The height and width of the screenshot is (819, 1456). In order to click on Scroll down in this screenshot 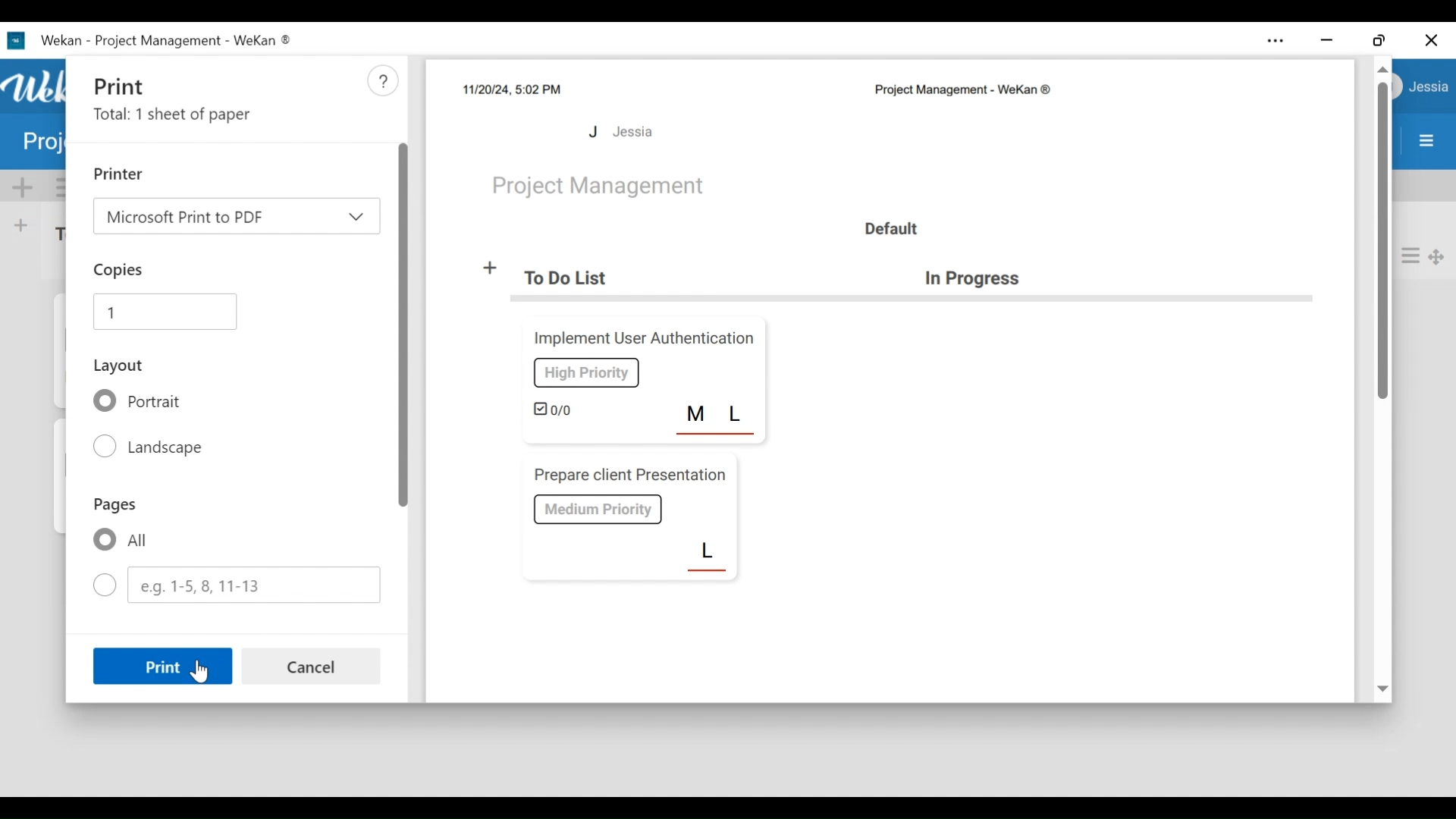, I will do `click(1382, 690)`.